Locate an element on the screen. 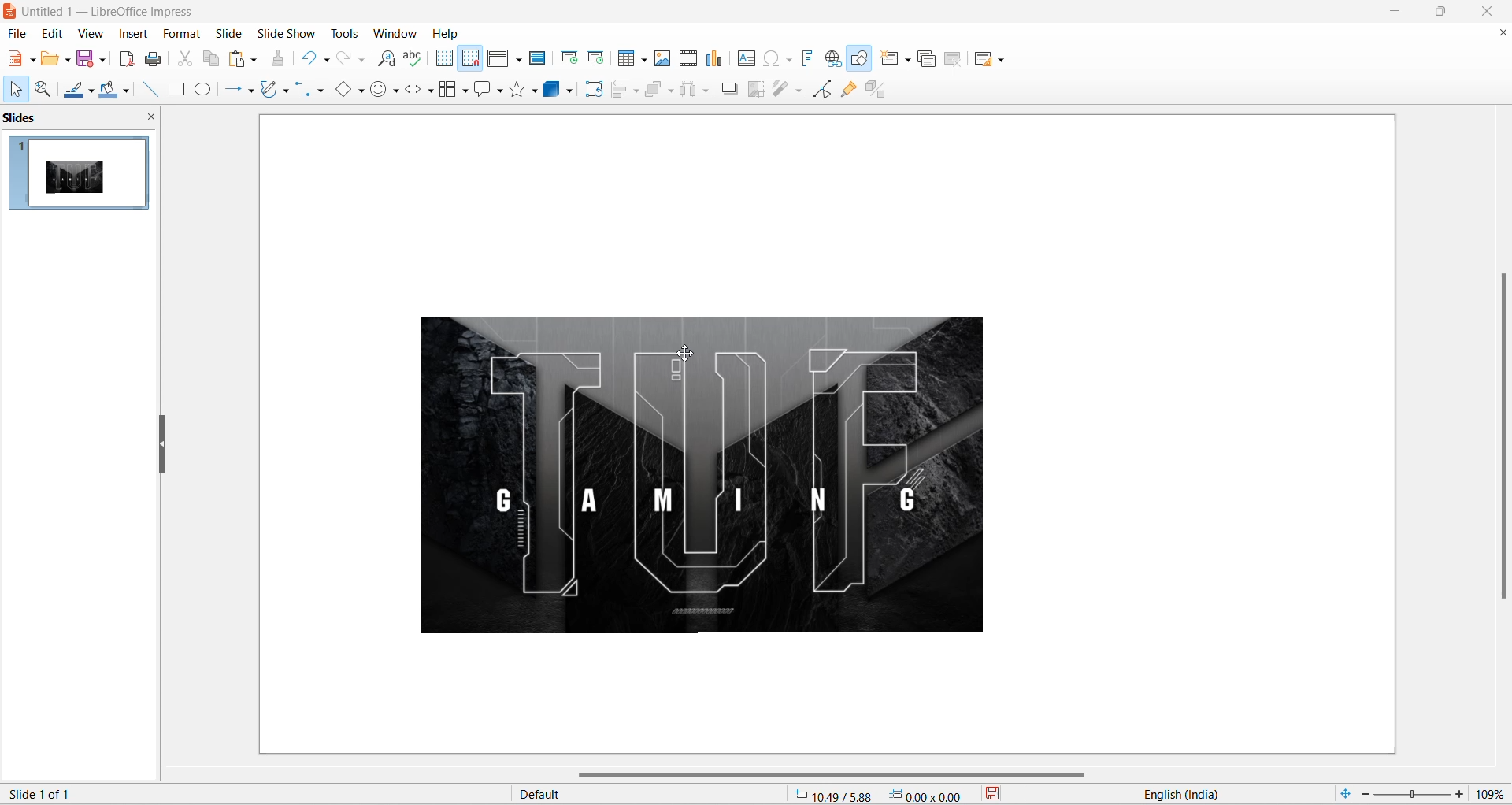 This screenshot has height=805, width=1512. basic shapes options is located at coordinates (360, 90).